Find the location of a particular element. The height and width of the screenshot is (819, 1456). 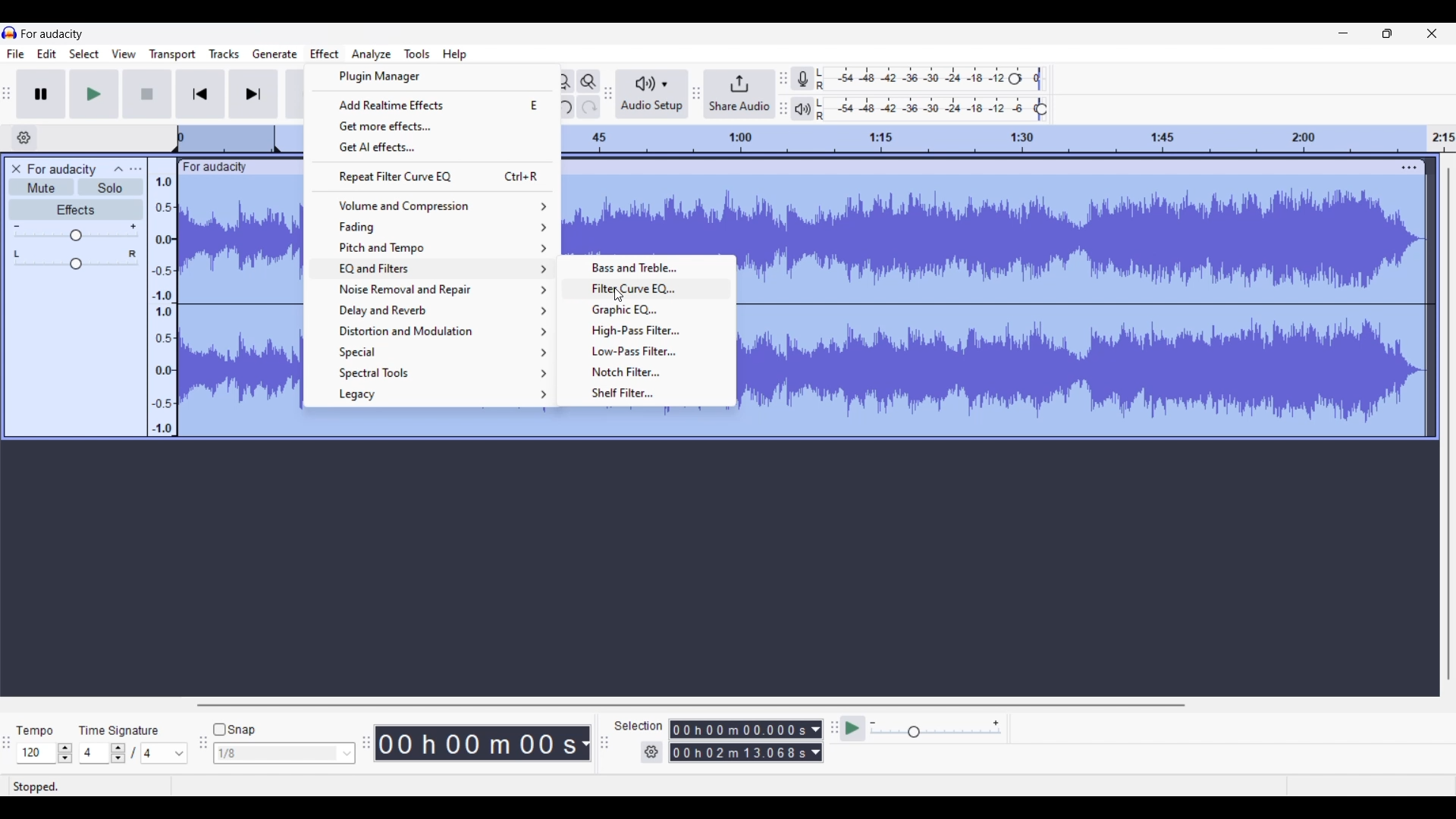

Change pan is located at coordinates (76, 265).